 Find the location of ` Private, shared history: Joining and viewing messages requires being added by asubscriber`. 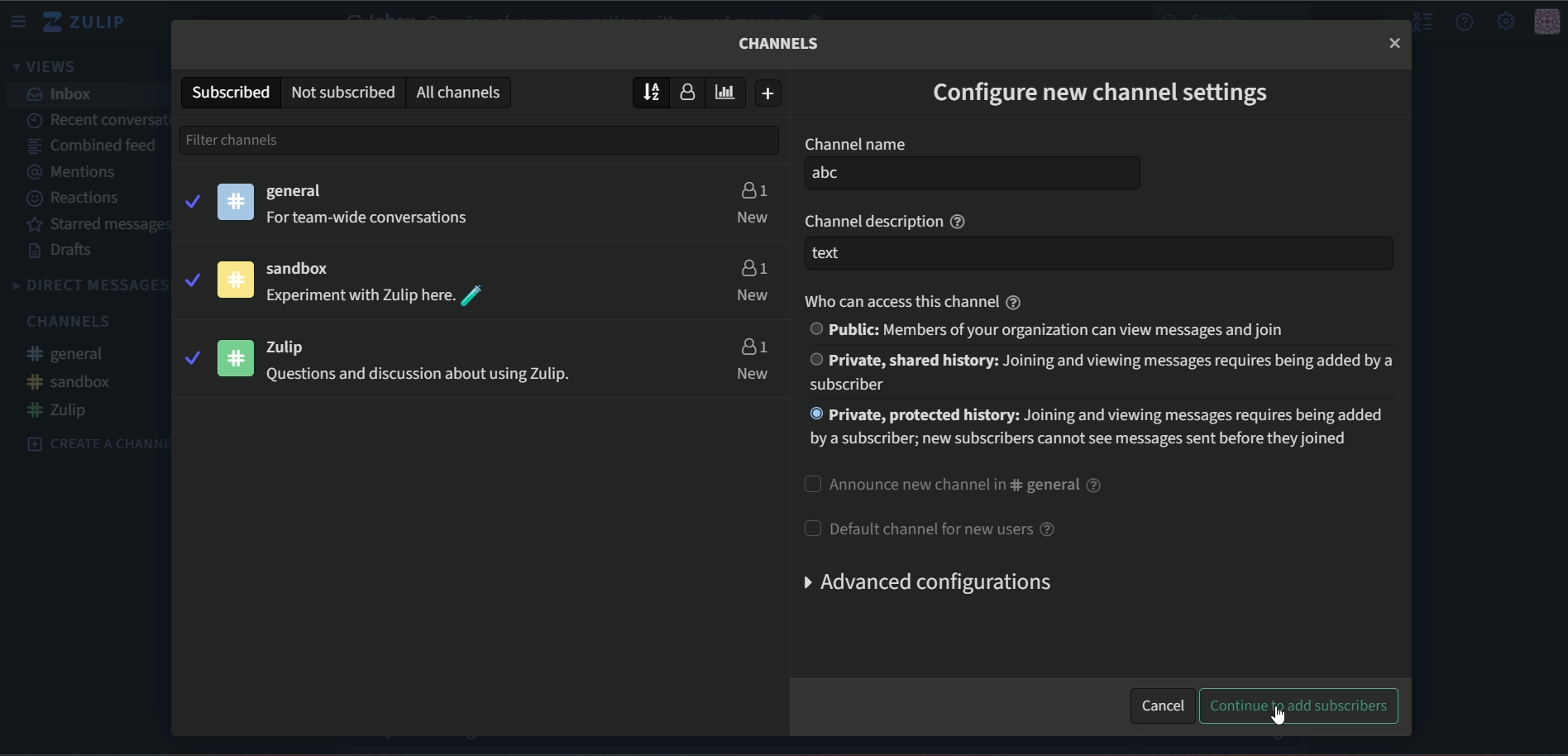

 Private, shared history: Joining and viewing messages requires being added by asubscriber is located at coordinates (1098, 372).